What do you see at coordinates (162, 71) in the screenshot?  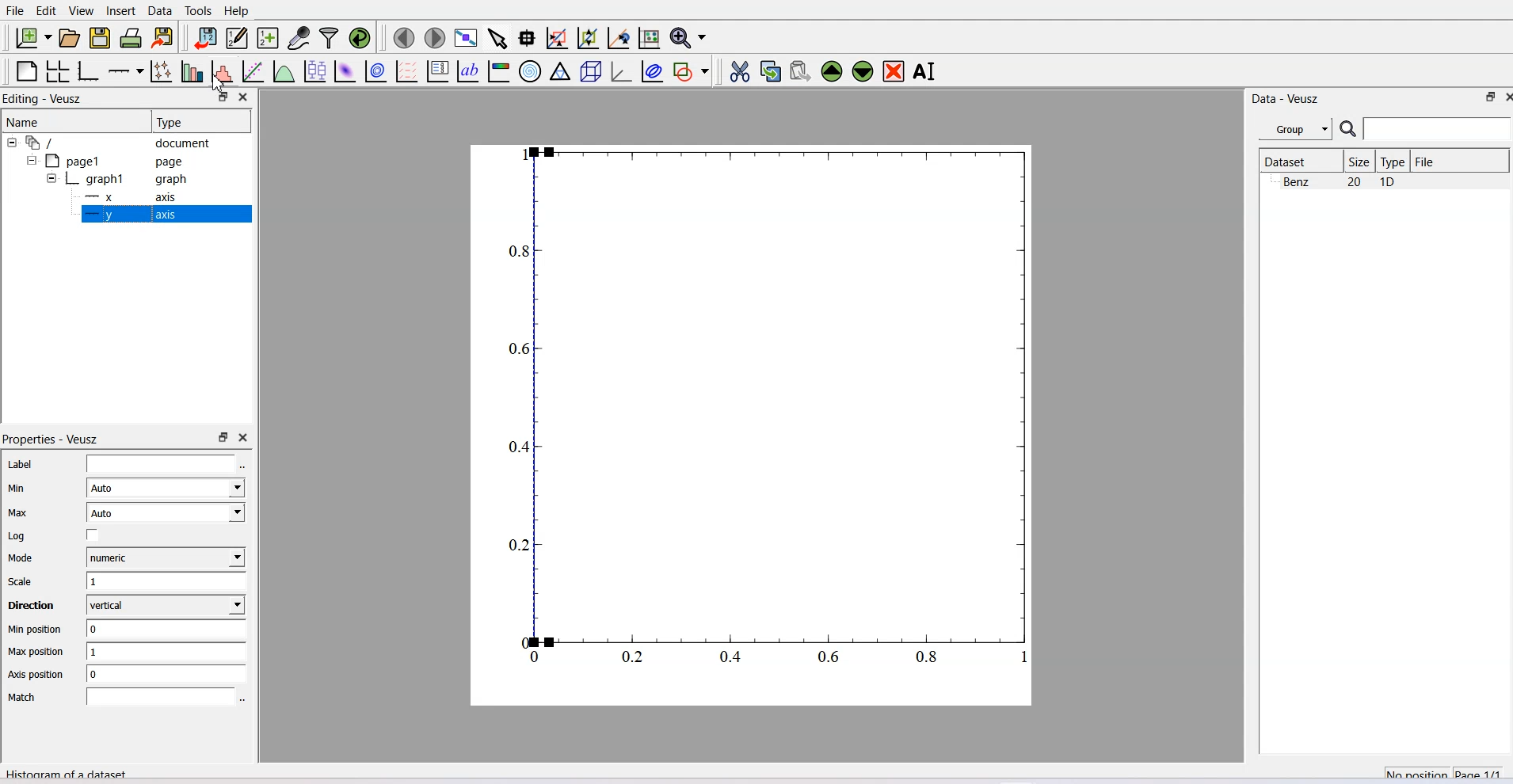 I see `Plot points with lines and errorbars` at bounding box center [162, 71].